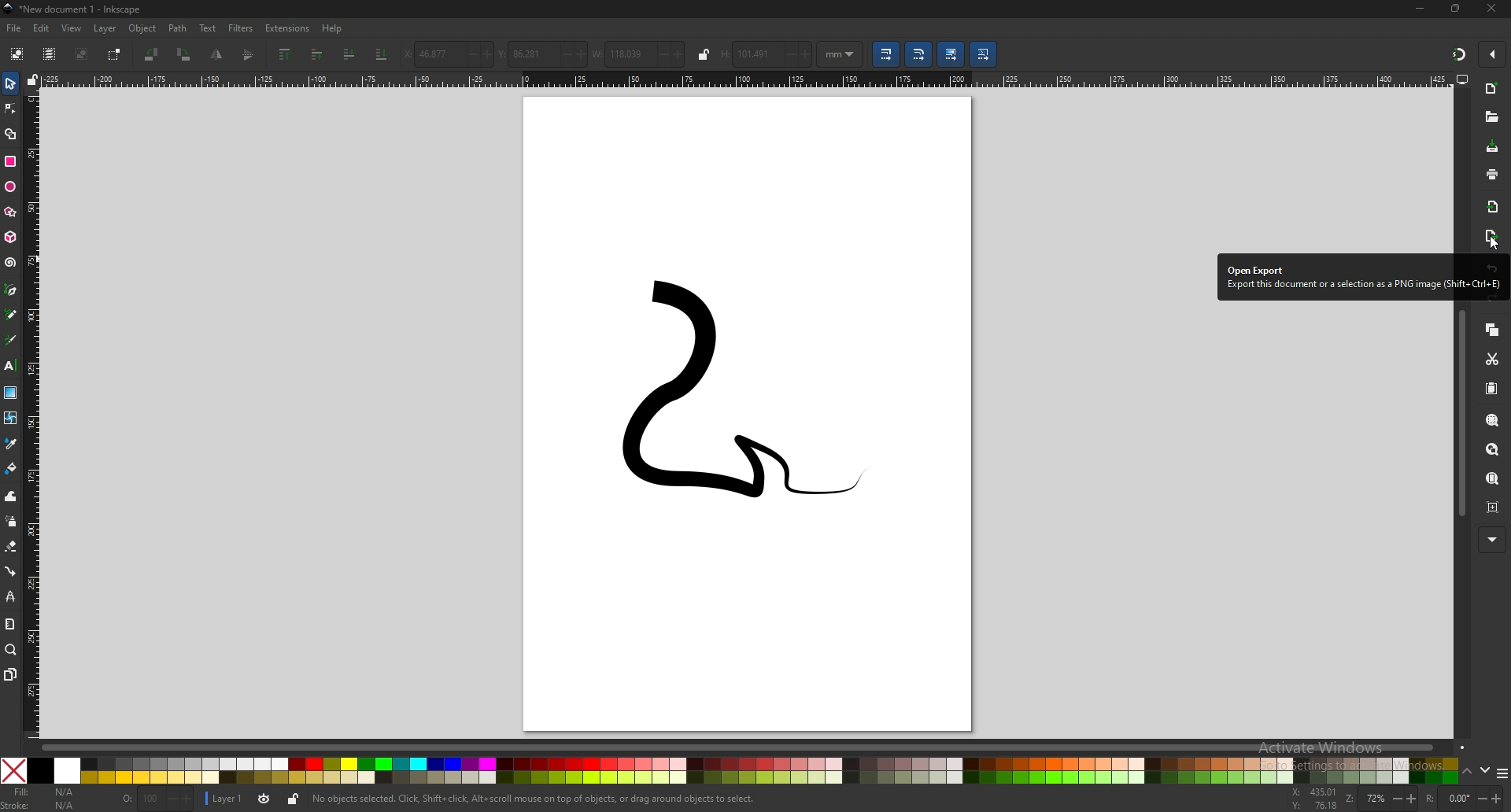 Image resolution: width=1511 pixels, height=812 pixels. What do you see at coordinates (11, 339) in the screenshot?
I see `calligraphy` at bounding box center [11, 339].